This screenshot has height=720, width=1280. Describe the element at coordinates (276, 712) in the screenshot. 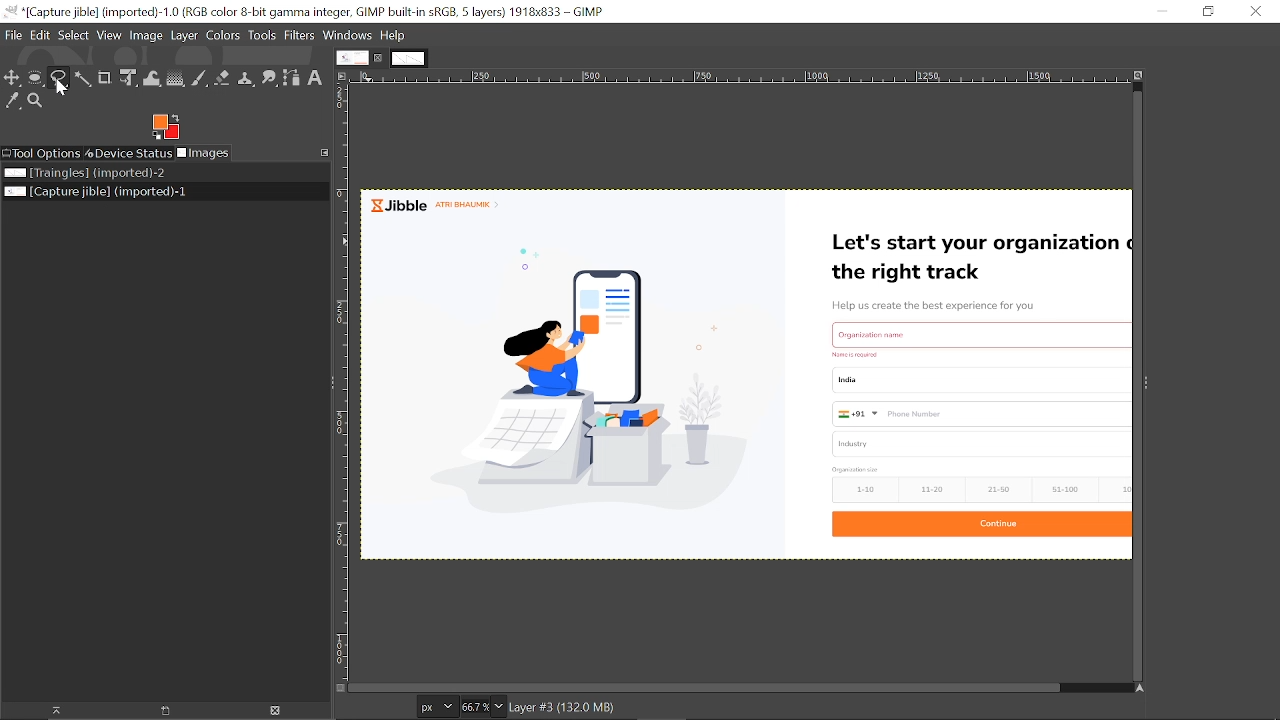

I see `Delete this image` at that location.